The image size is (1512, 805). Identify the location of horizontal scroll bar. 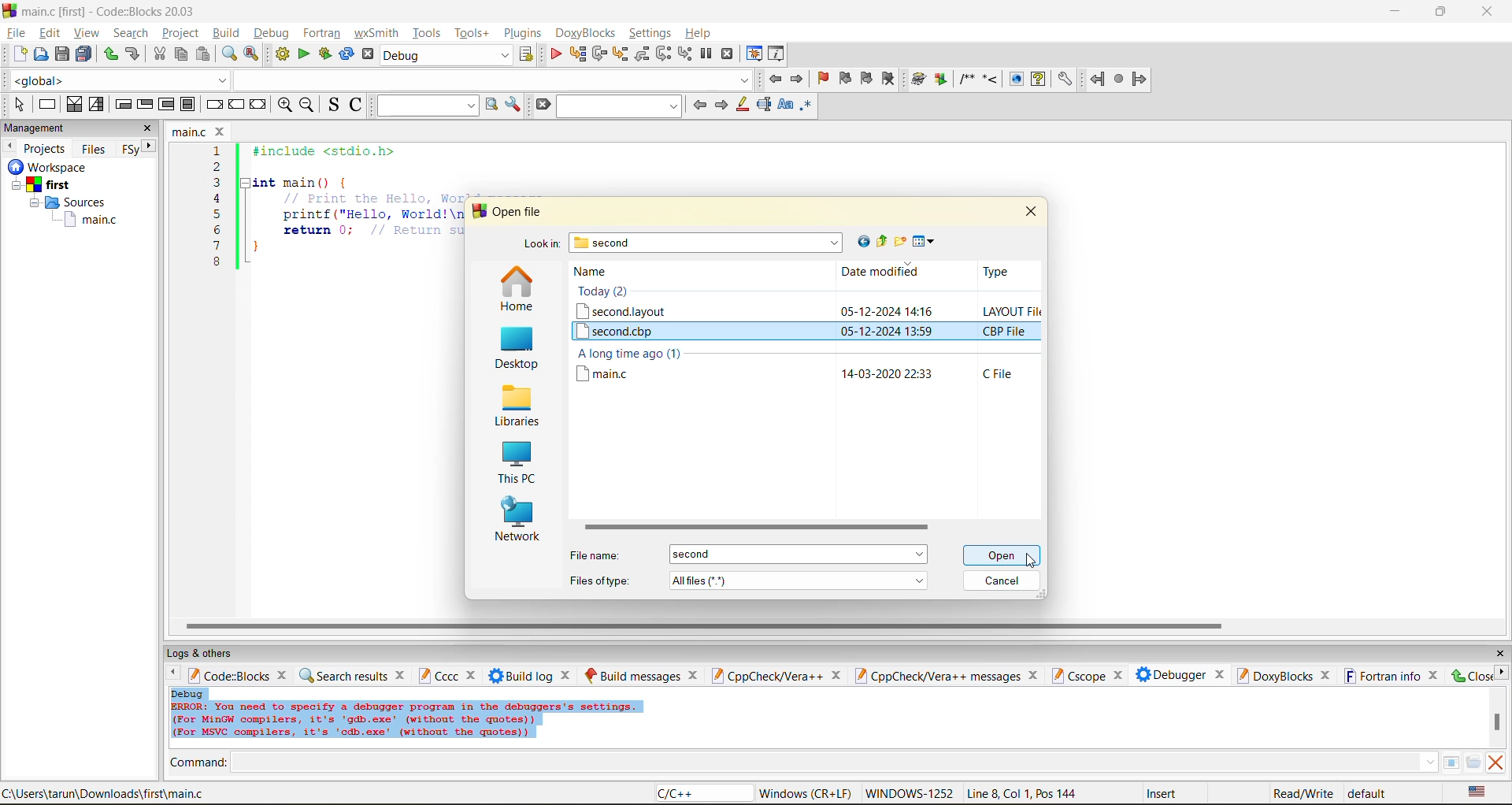
(754, 528).